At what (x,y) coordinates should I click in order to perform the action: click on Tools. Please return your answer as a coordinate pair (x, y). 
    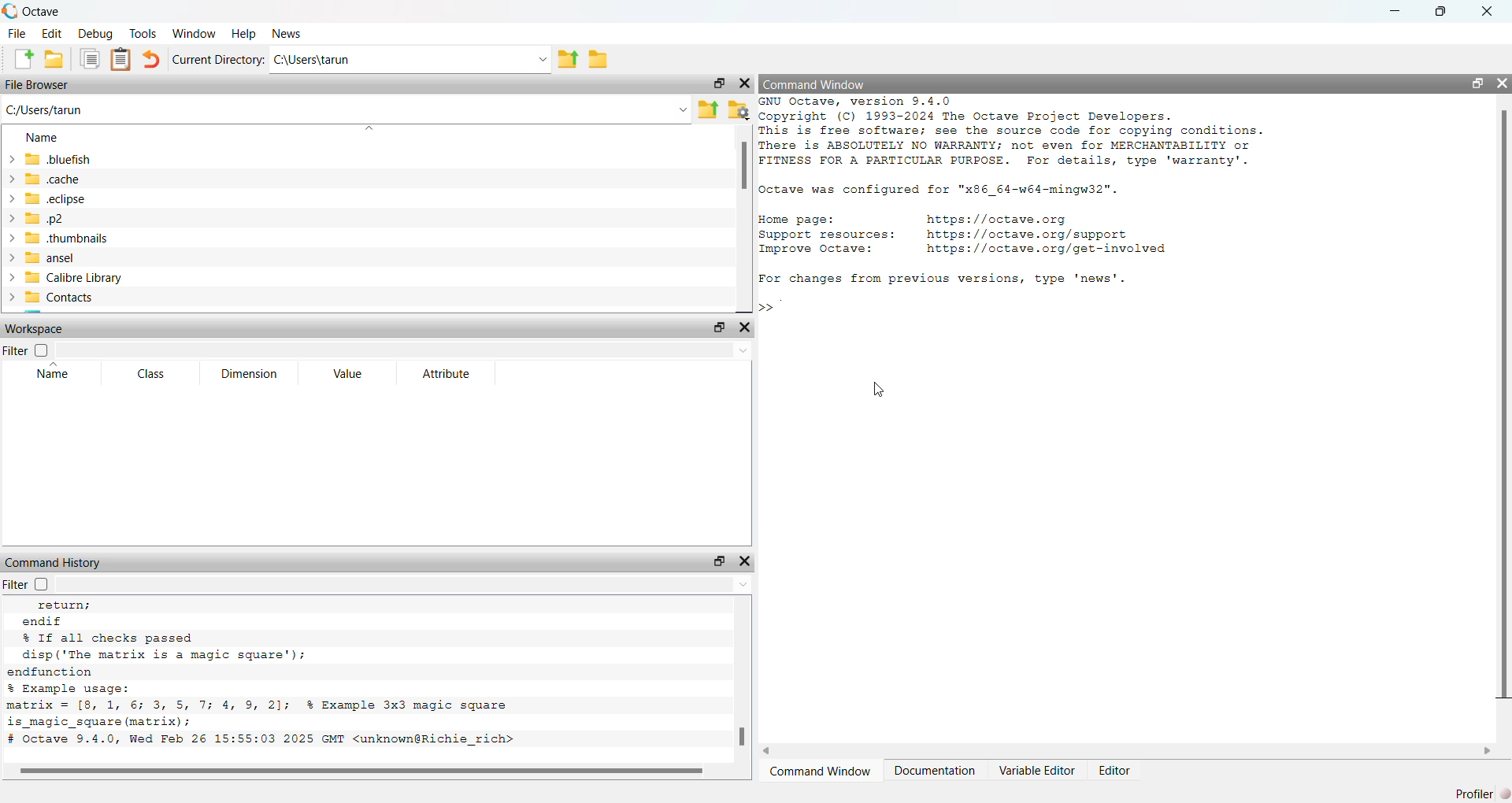
    Looking at the image, I should click on (144, 33).